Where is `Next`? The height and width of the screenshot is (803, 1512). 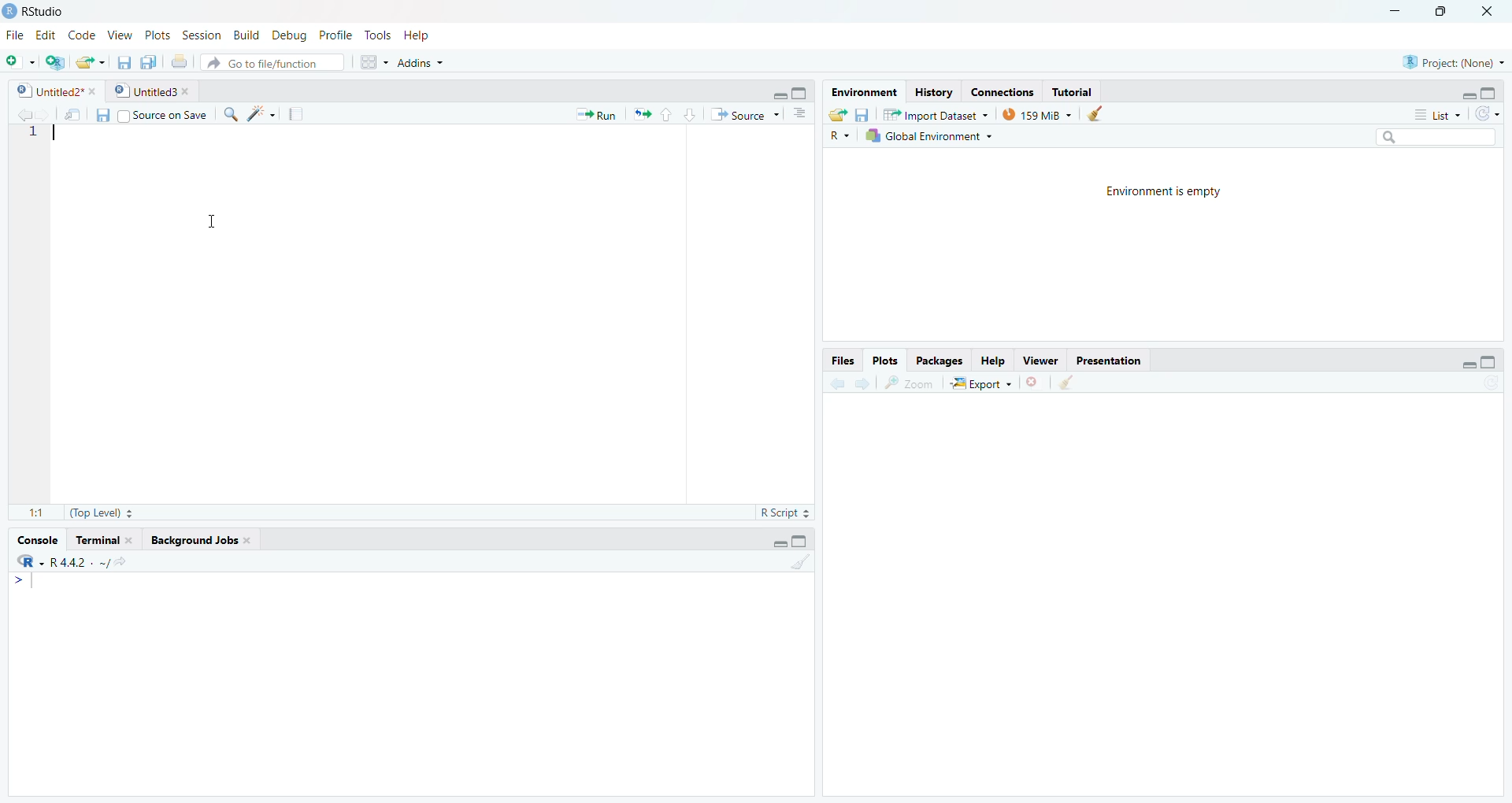 Next is located at coordinates (45, 115).